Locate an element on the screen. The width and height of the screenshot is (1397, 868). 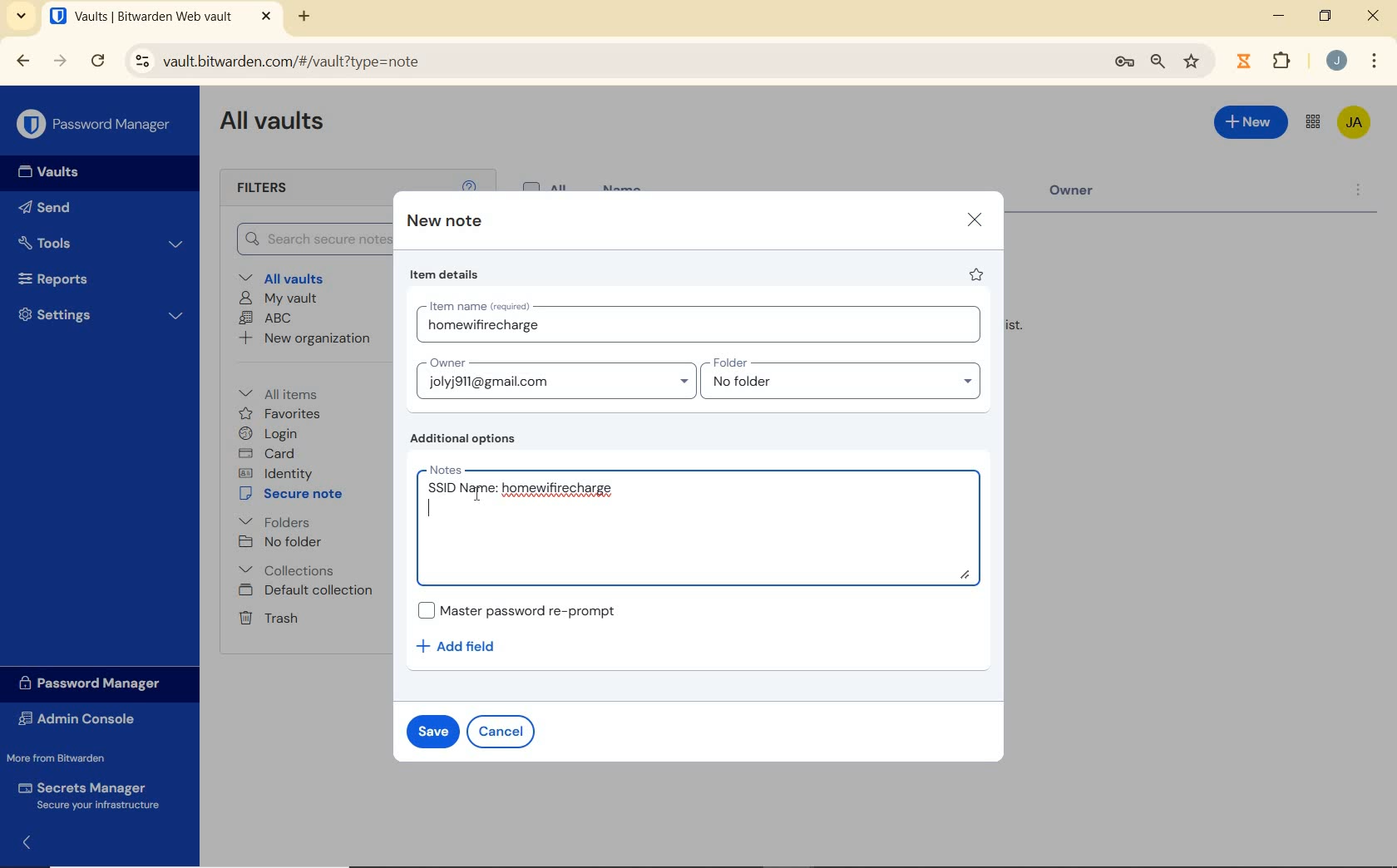
secure note is located at coordinates (294, 494).